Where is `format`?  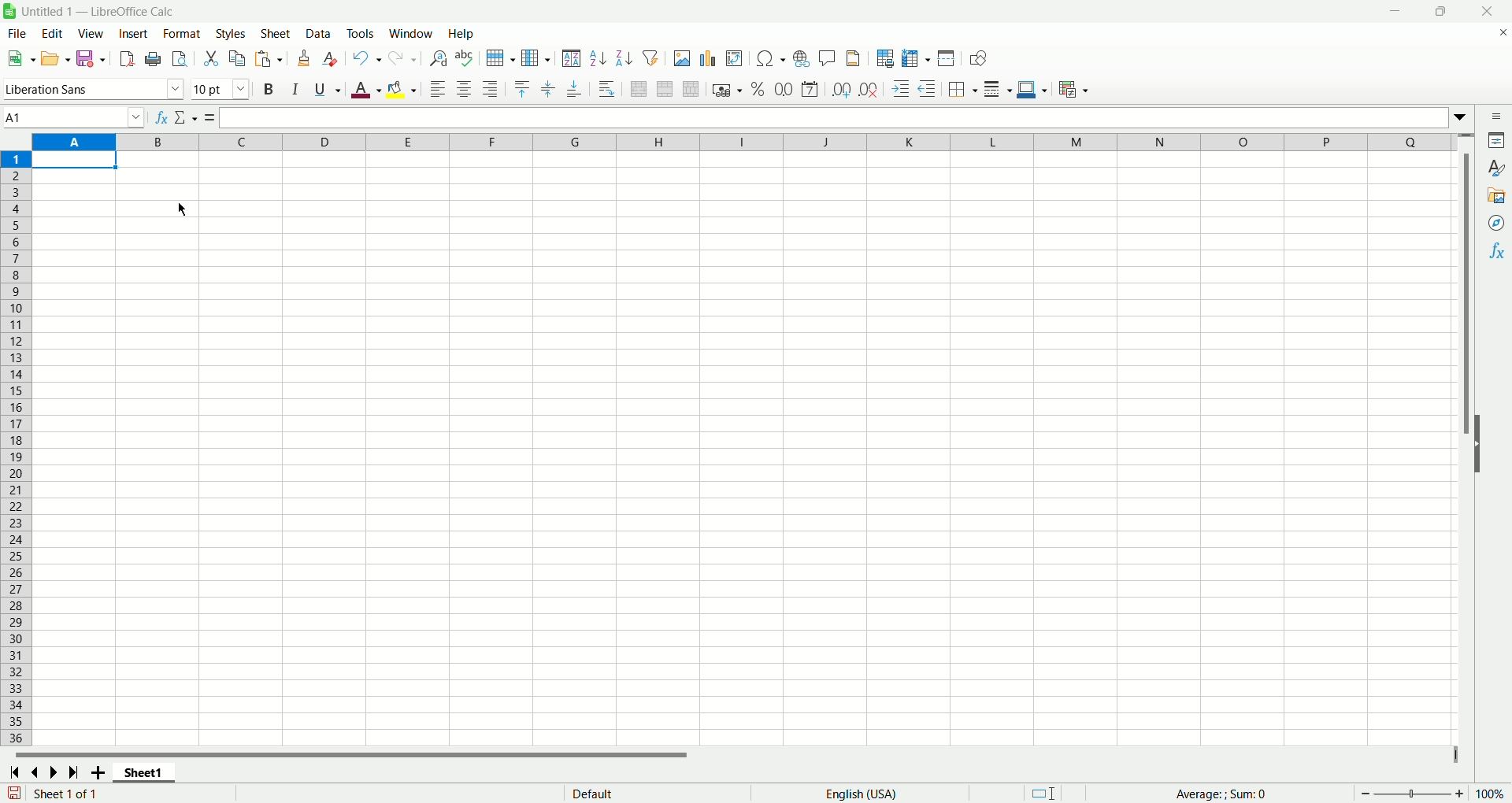 format is located at coordinates (181, 33).